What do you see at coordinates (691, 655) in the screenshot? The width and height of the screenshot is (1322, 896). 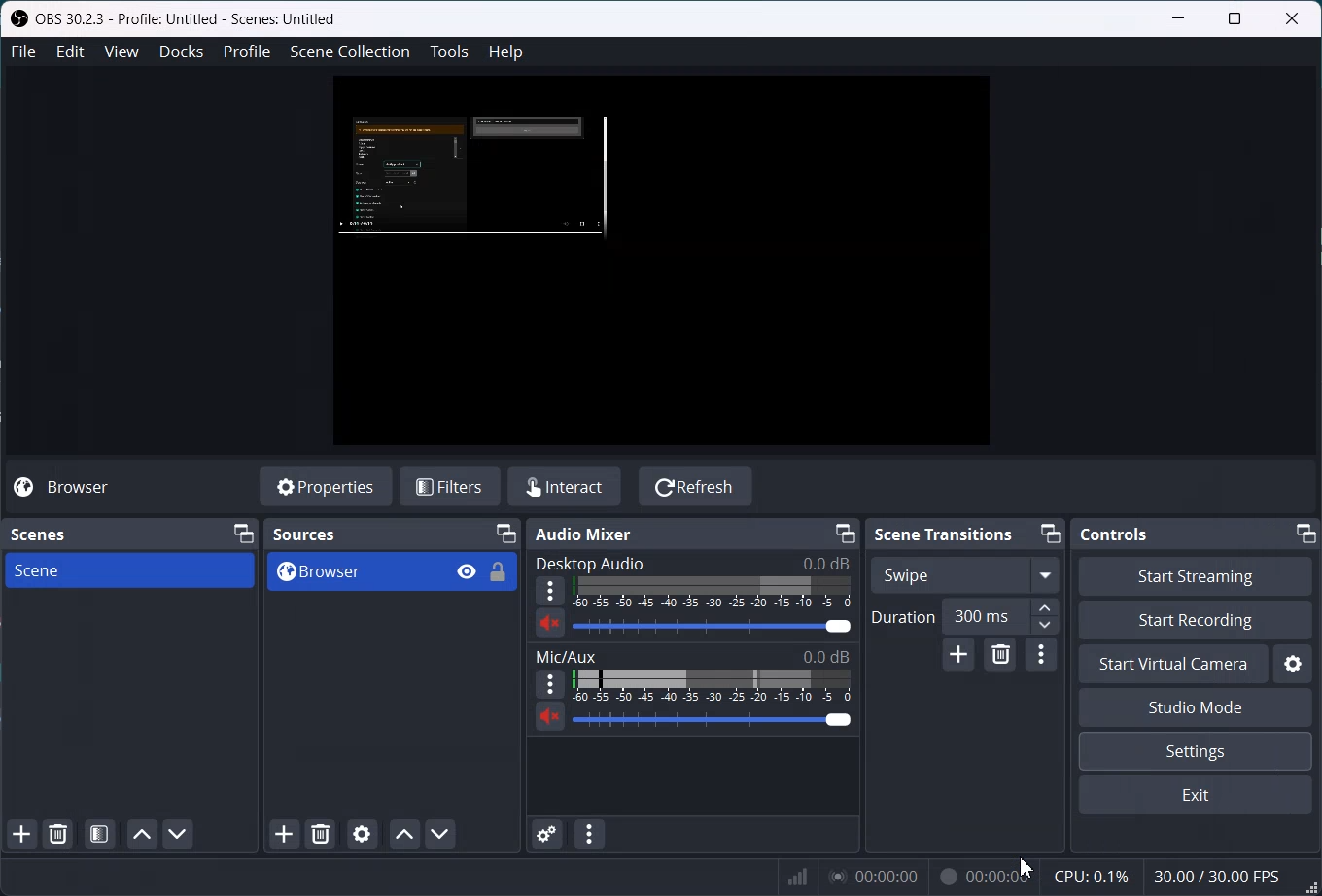 I see `Mic/Aux 0.0 dB` at bounding box center [691, 655].